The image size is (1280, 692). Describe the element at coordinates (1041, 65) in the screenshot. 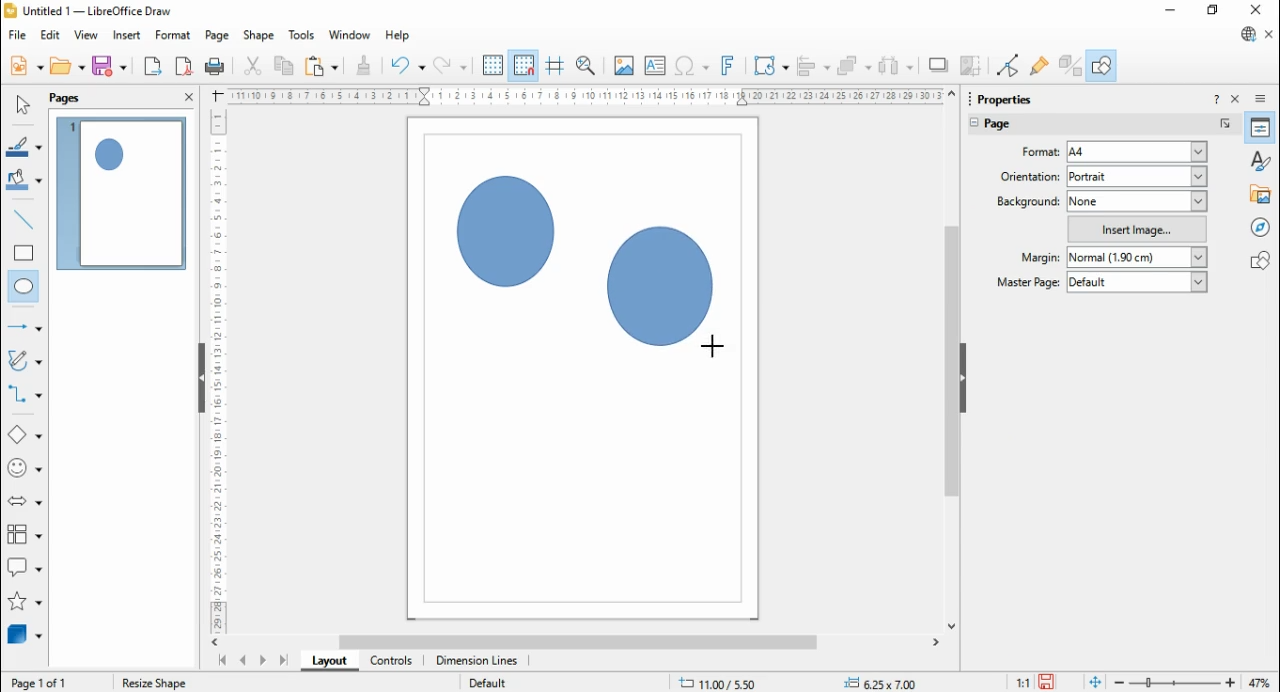

I see `show glue point functions` at that location.